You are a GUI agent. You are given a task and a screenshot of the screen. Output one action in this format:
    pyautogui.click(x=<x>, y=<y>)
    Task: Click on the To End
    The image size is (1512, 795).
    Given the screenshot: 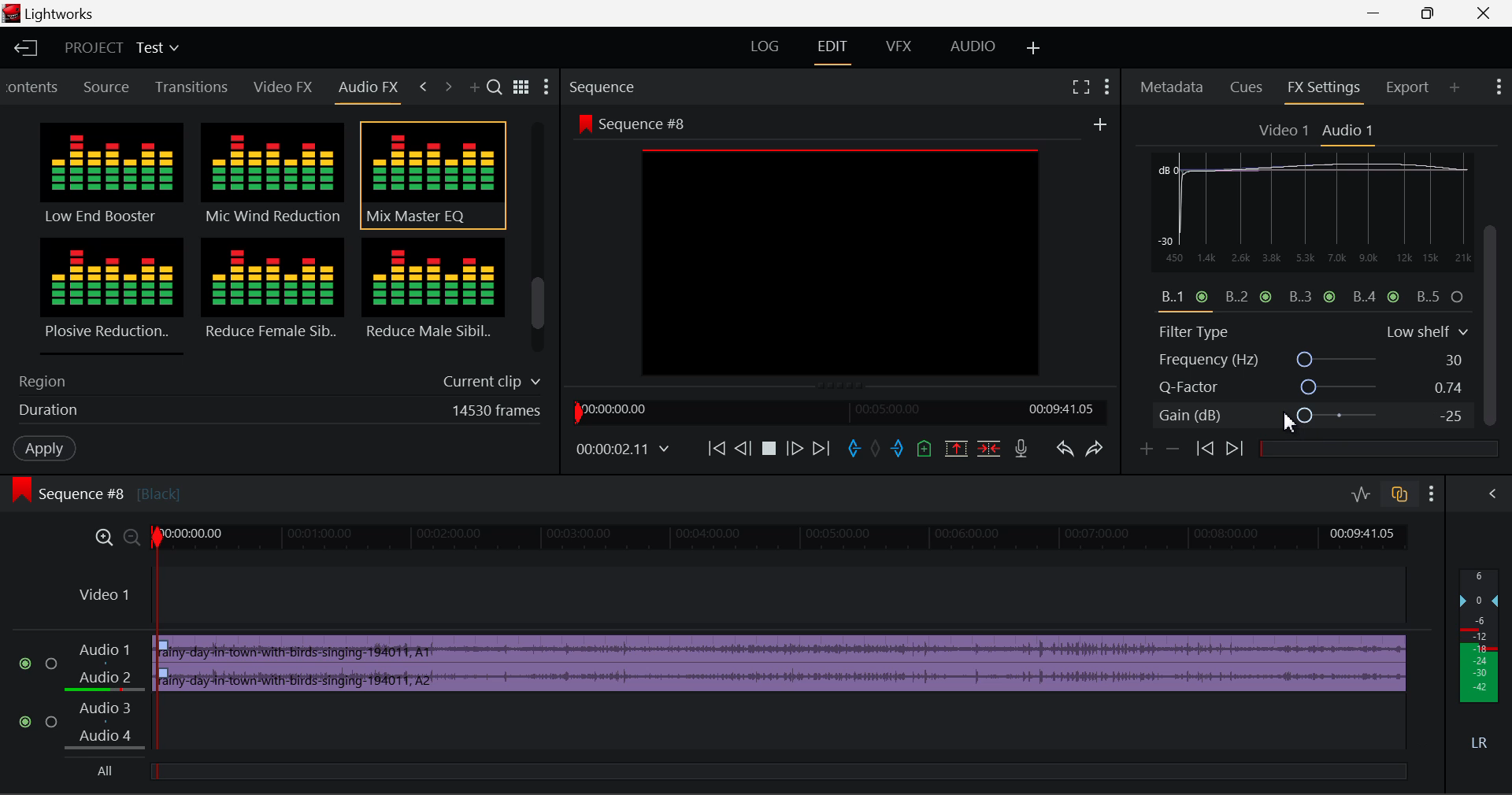 What is the action you would take?
    pyautogui.click(x=825, y=450)
    